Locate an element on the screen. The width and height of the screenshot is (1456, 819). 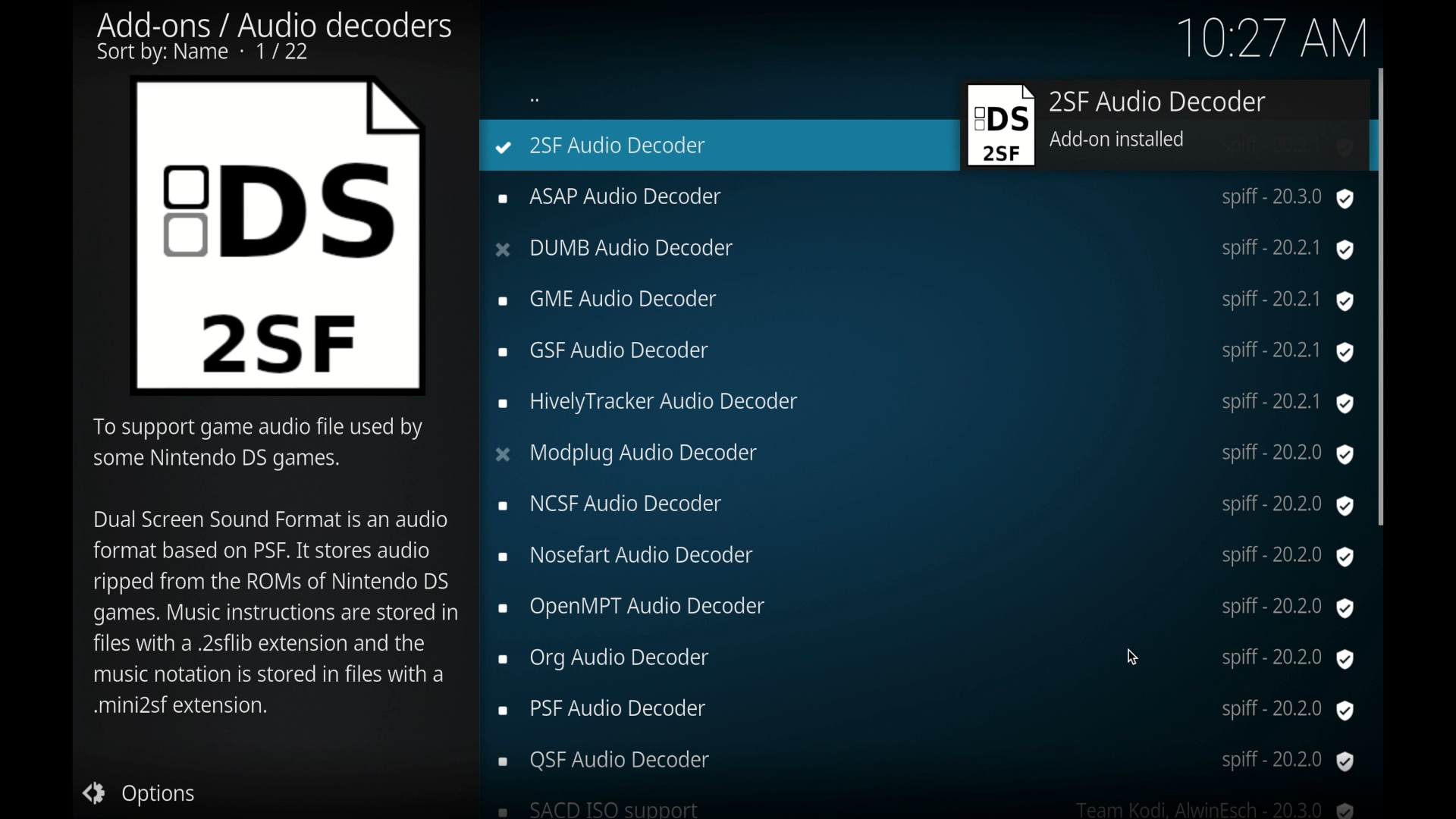
nosefart audio decoder is located at coordinates (927, 556).